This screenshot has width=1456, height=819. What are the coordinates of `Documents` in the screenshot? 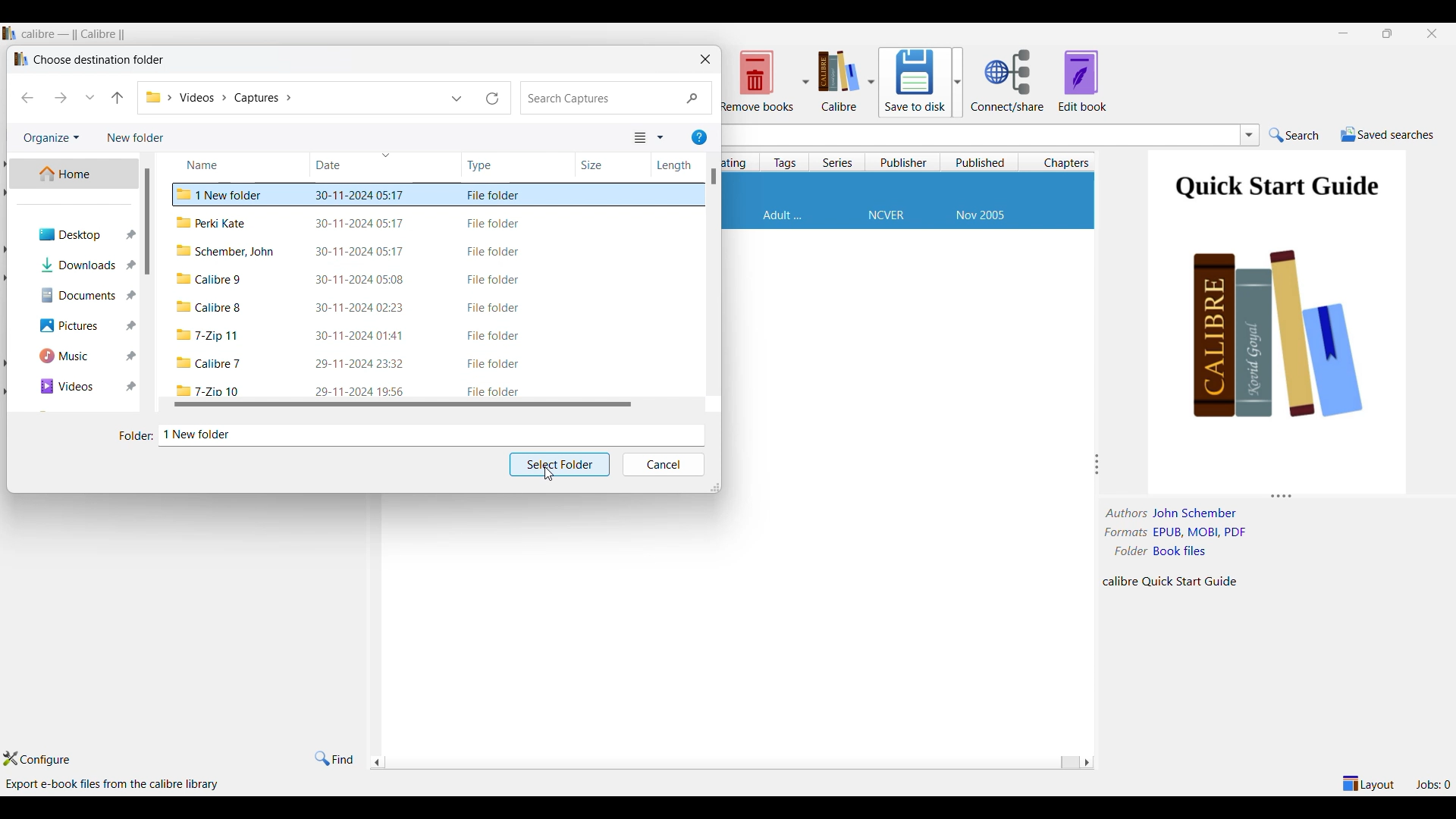 It's located at (77, 295).